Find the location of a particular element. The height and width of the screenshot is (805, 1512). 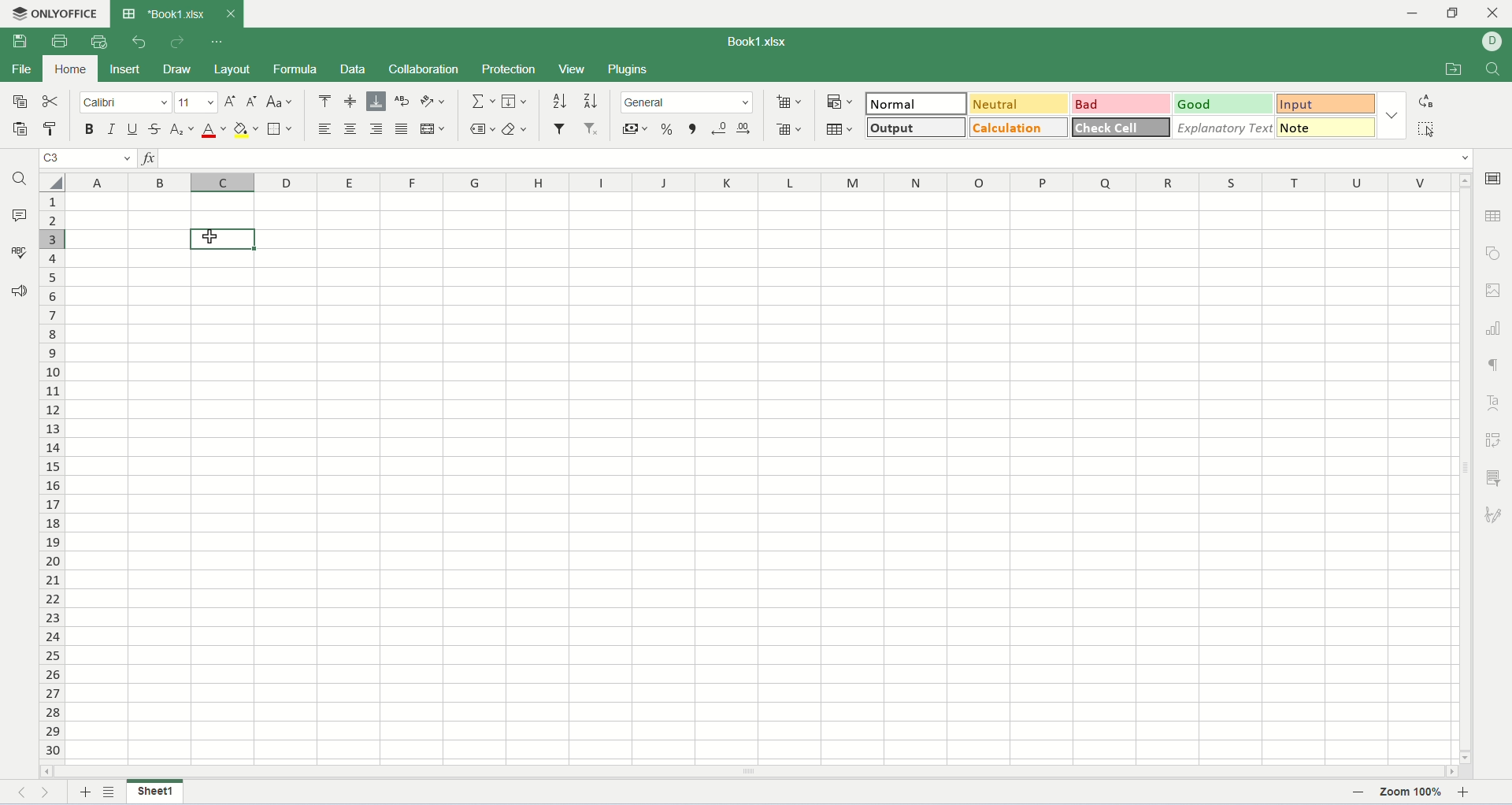

vertical scroll bar is located at coordinates (1463, 466).